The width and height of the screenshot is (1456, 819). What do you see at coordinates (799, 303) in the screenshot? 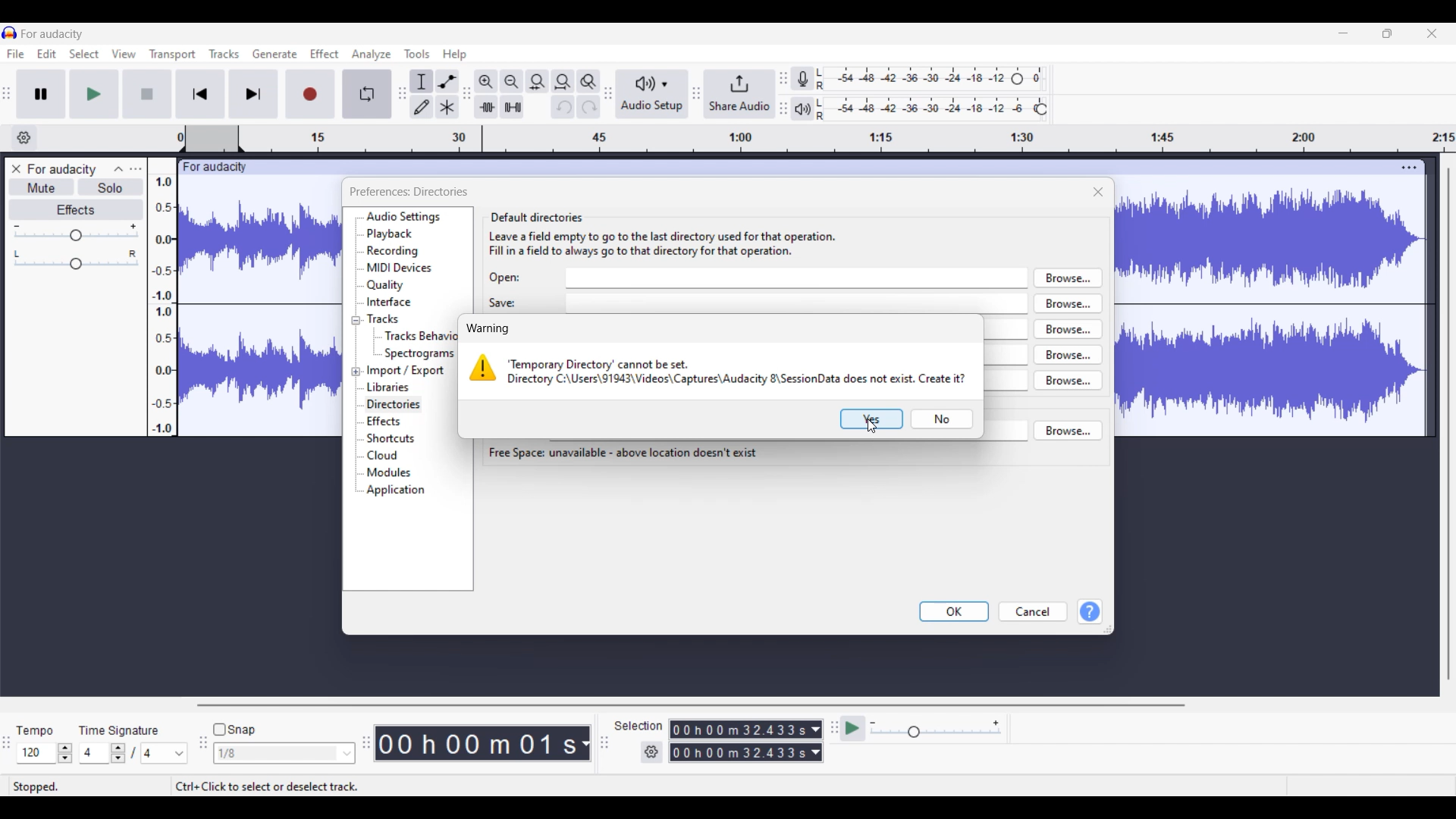
I see `save input box` at bounding box center [799, 303].